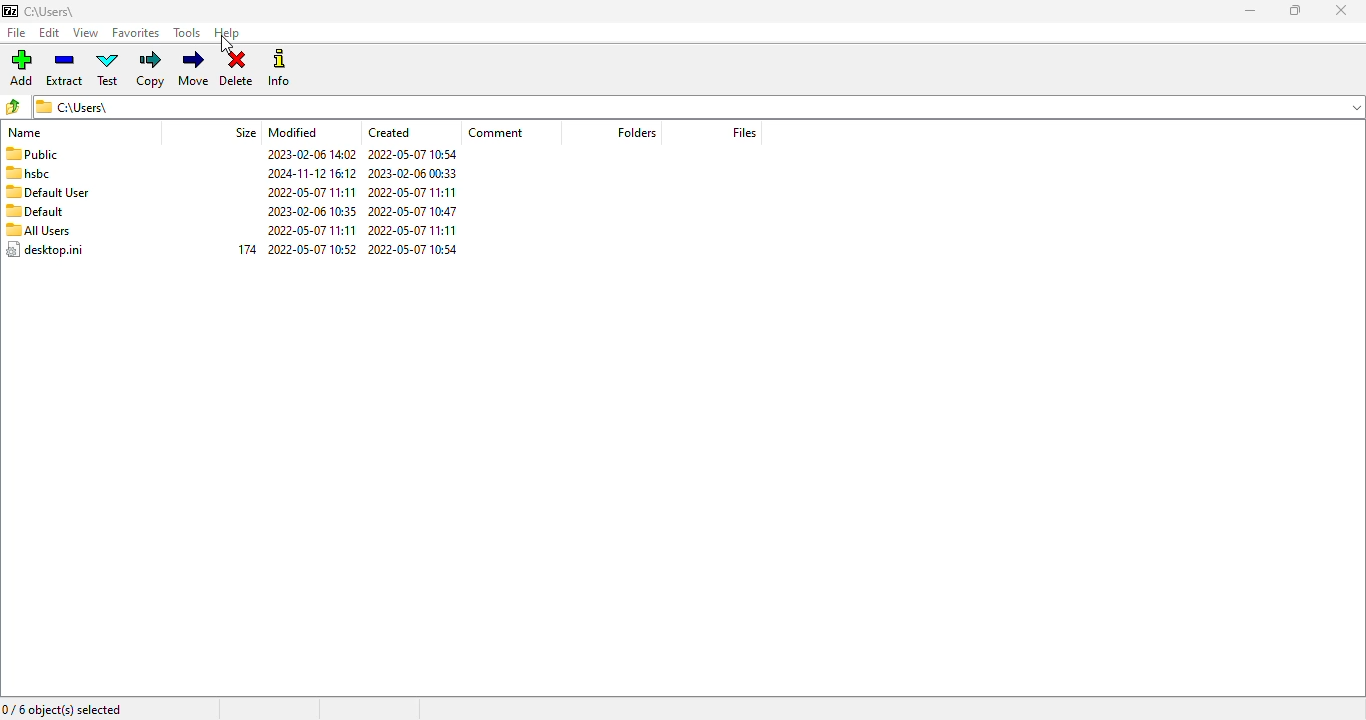 The width and height of the screenshot is (1366, 720). I want to click on info, so click(280, 67).